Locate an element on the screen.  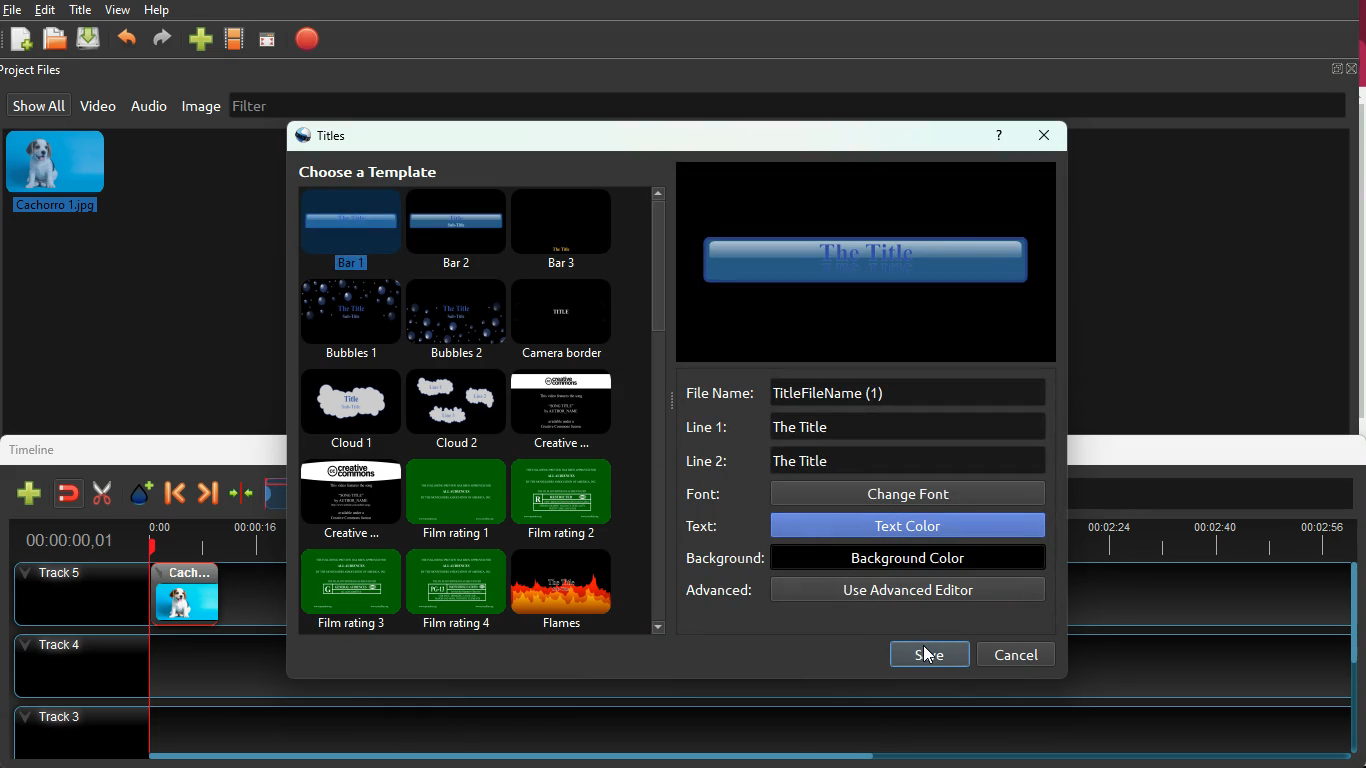
image is located at coordinates (64, 172).